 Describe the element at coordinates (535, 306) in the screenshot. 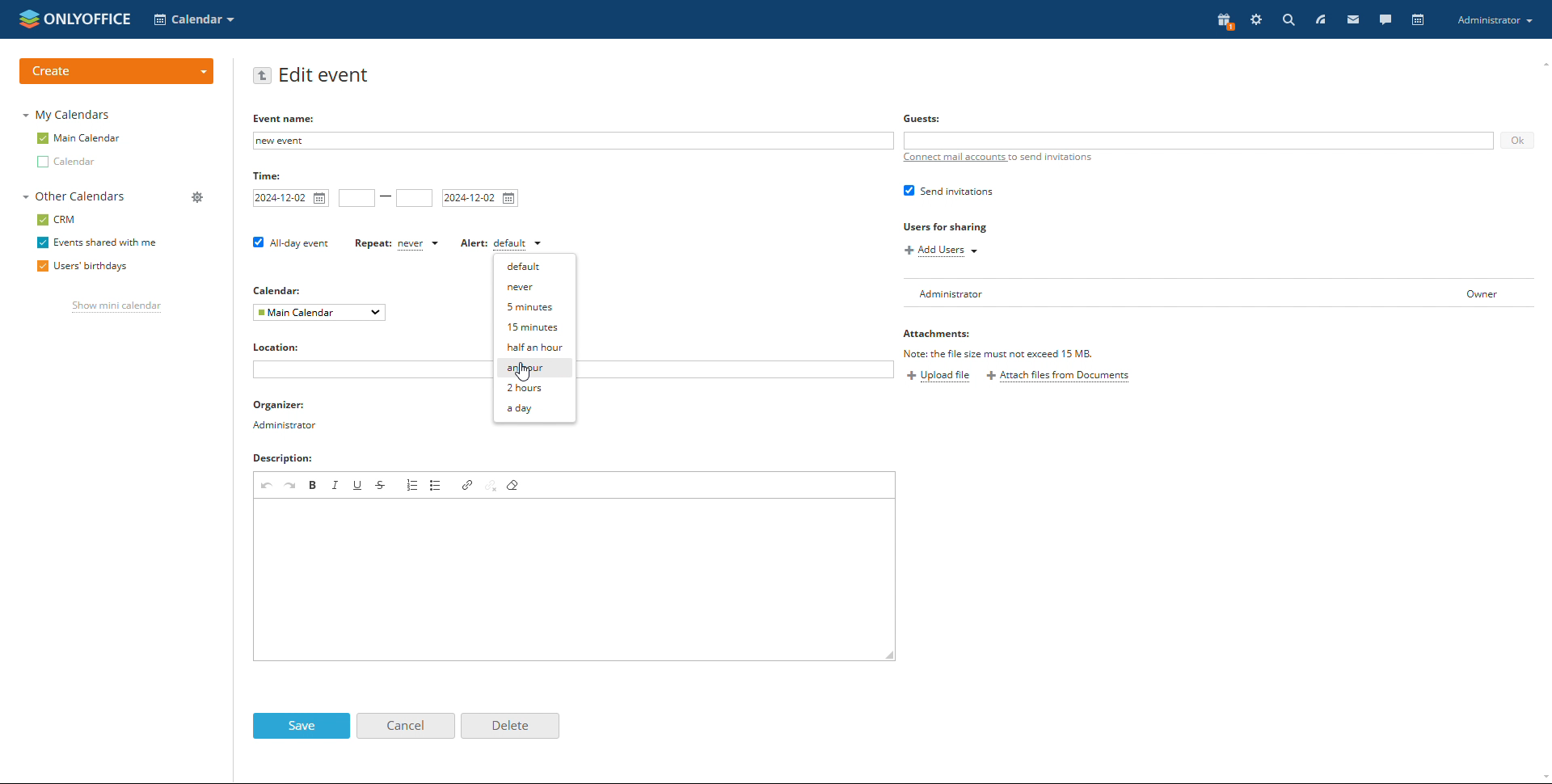

I see `5 minutes` at that location.